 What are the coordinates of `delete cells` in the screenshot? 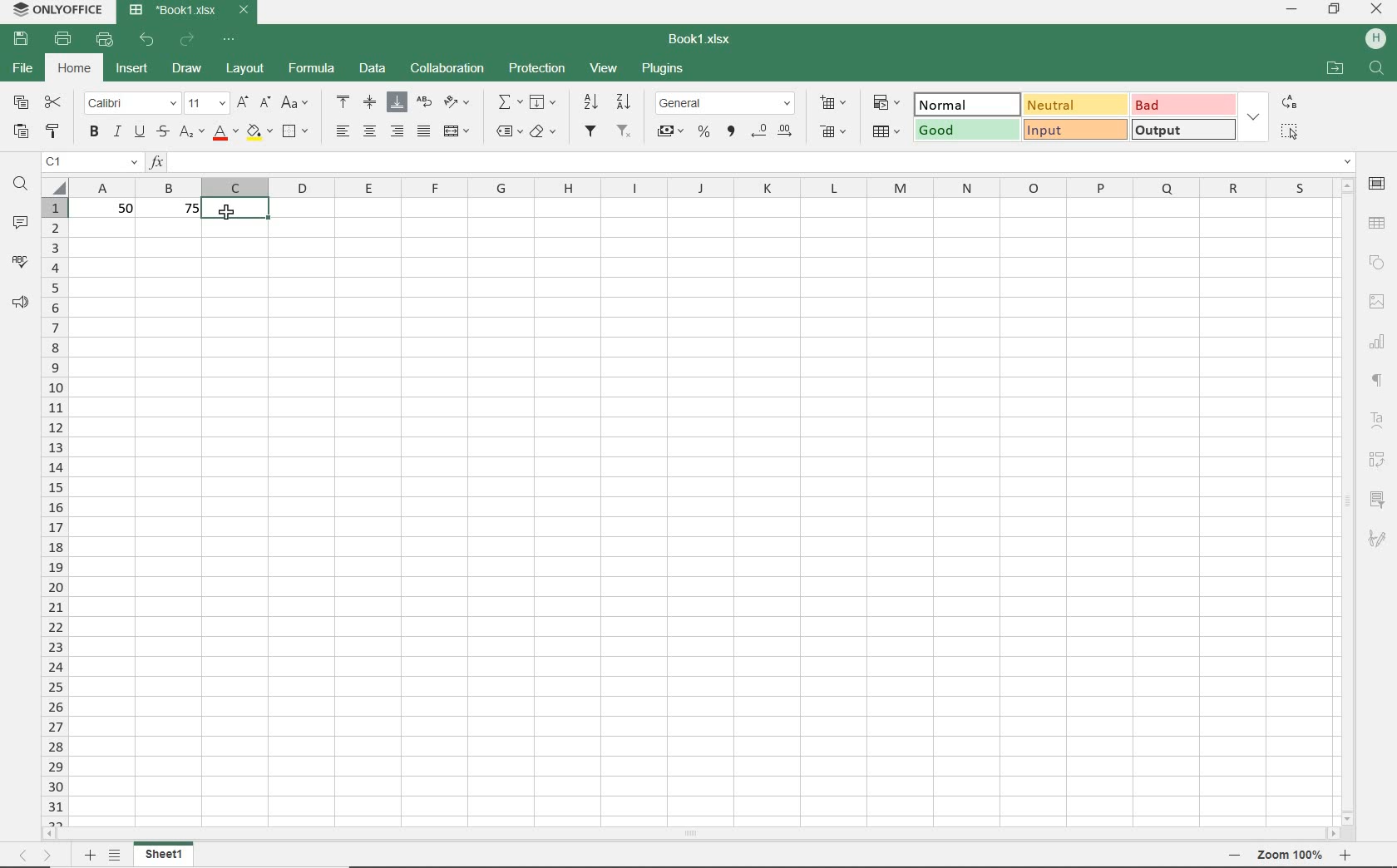 It's located at (886, 133).